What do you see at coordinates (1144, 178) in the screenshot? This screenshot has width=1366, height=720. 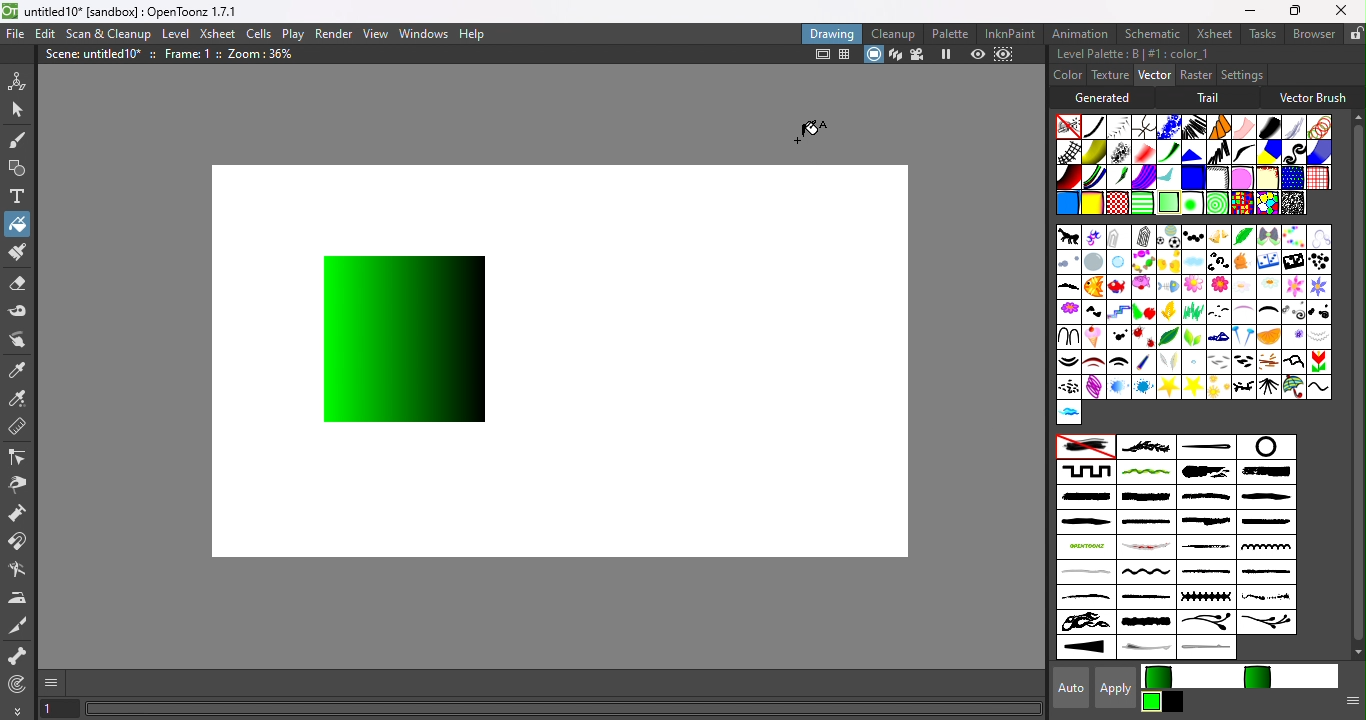 I see `Toothpaste` at bounding box center [1144, 178].